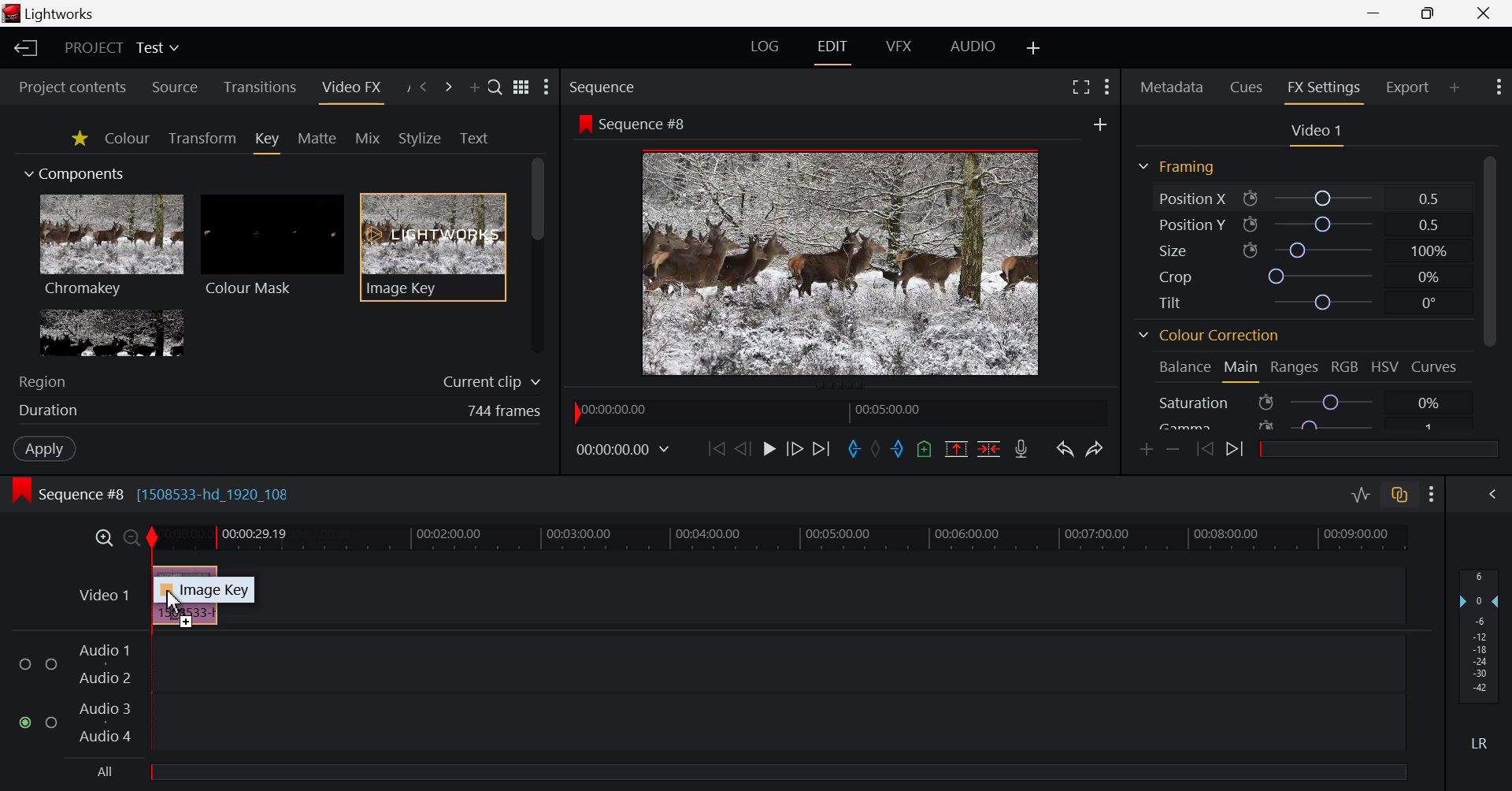 The height and width of the screenshot is (791, 1512). I want to click on 00:05:00.00, so click(892, 410).